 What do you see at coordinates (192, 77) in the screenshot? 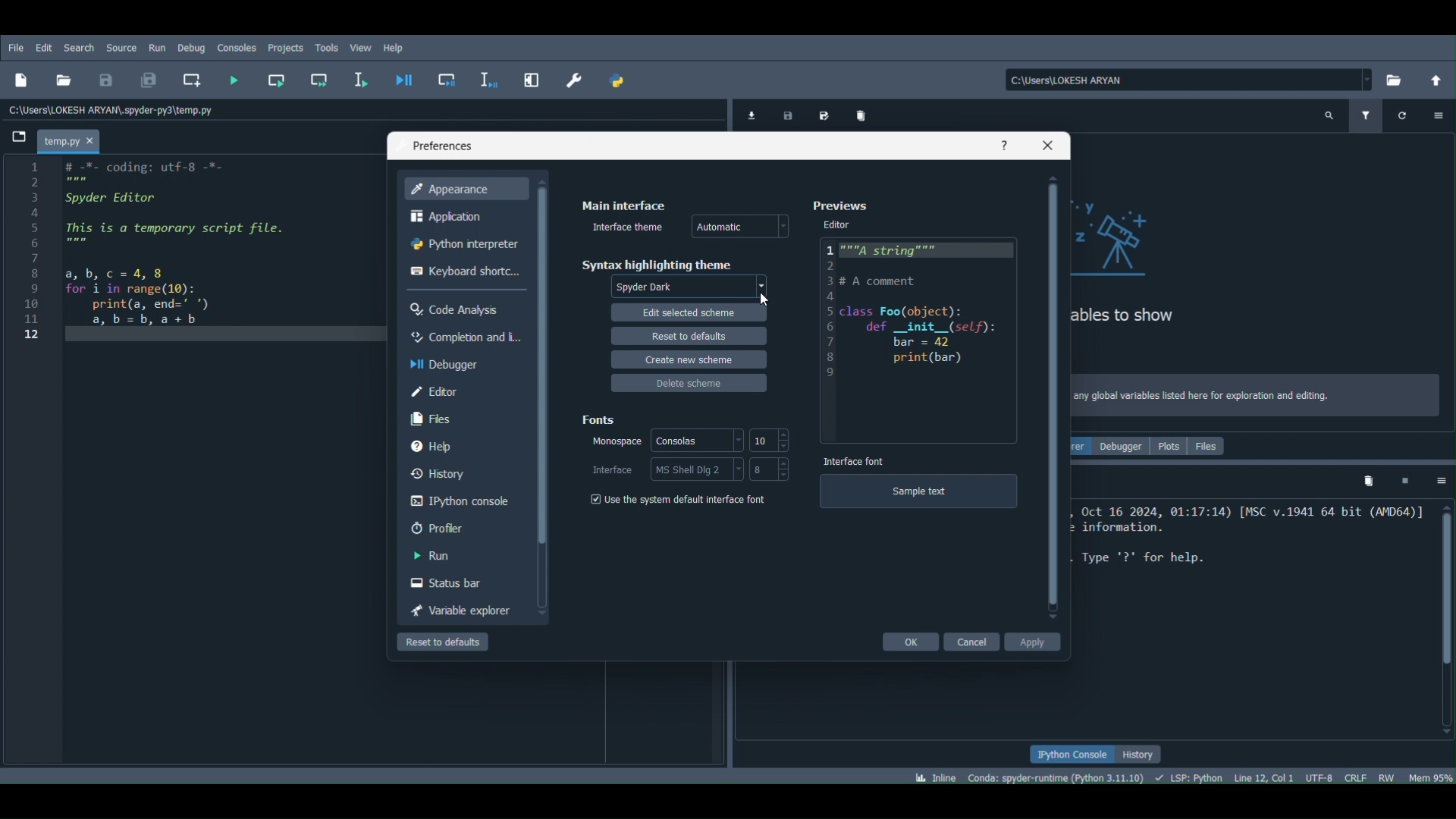
I see `Create new cell at the current line (Ctrl + 2)` at bounding box center [192, 77].